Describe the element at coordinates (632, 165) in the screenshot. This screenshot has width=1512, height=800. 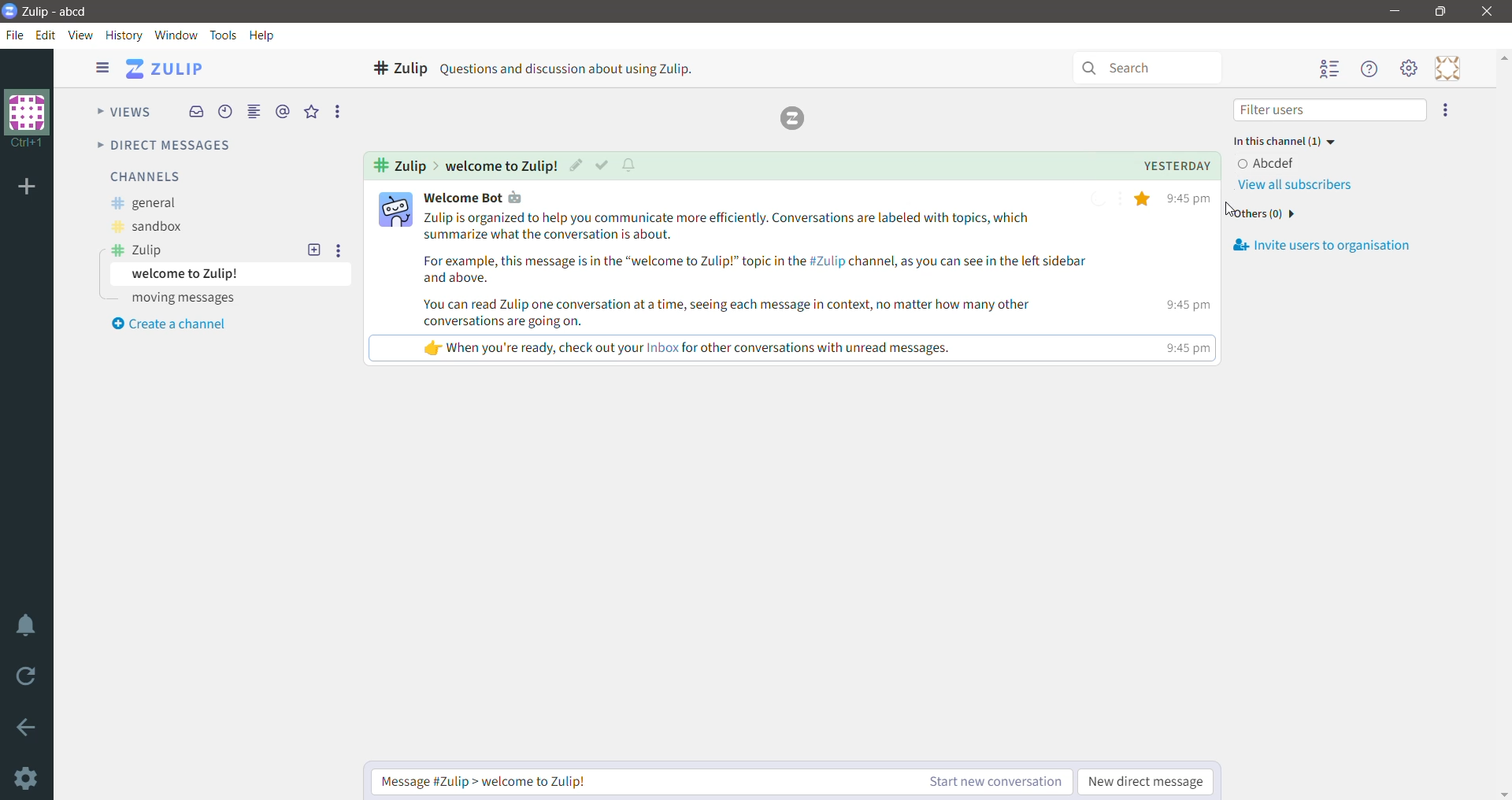
I see `Configure topic notifications` at that location.